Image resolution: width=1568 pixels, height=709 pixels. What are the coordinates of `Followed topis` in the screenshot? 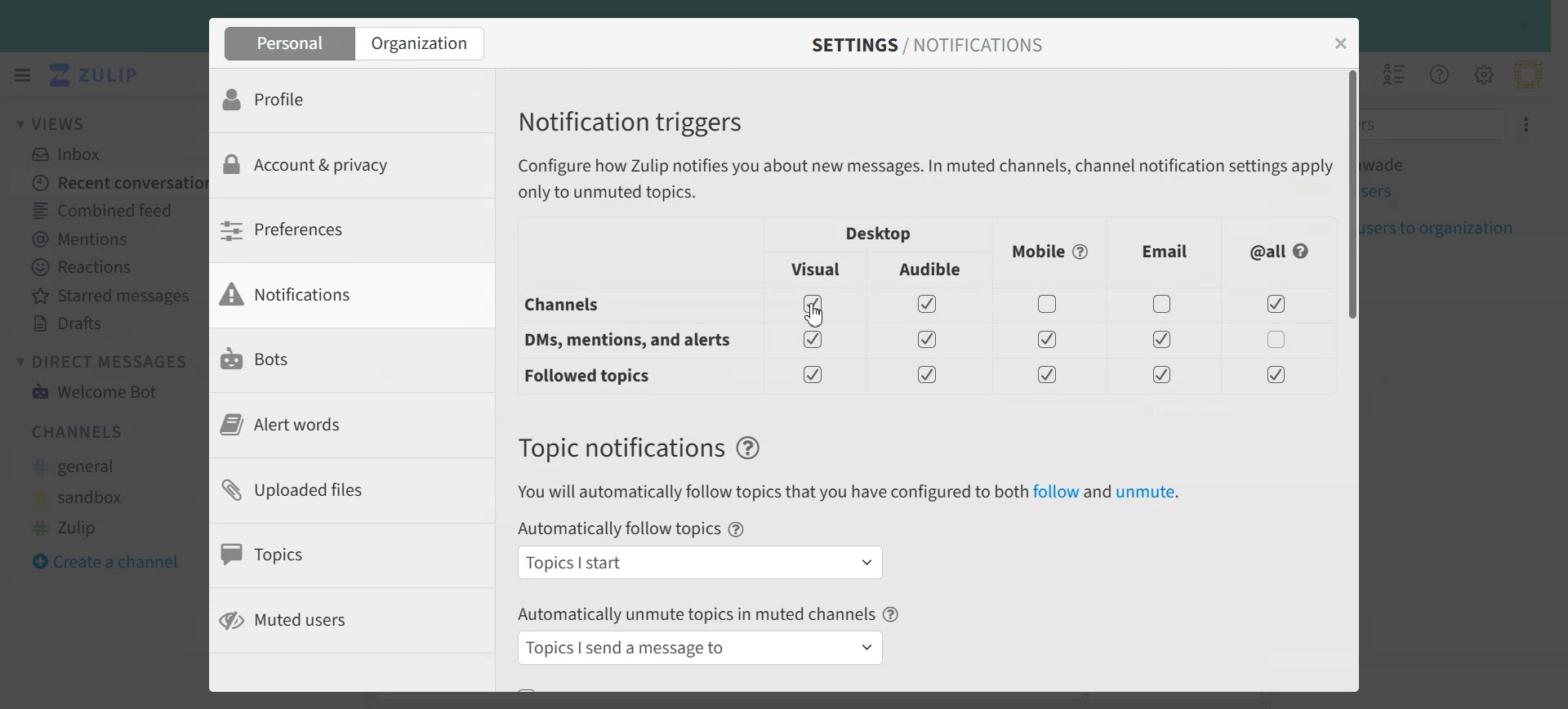 It's located at (591, 377).